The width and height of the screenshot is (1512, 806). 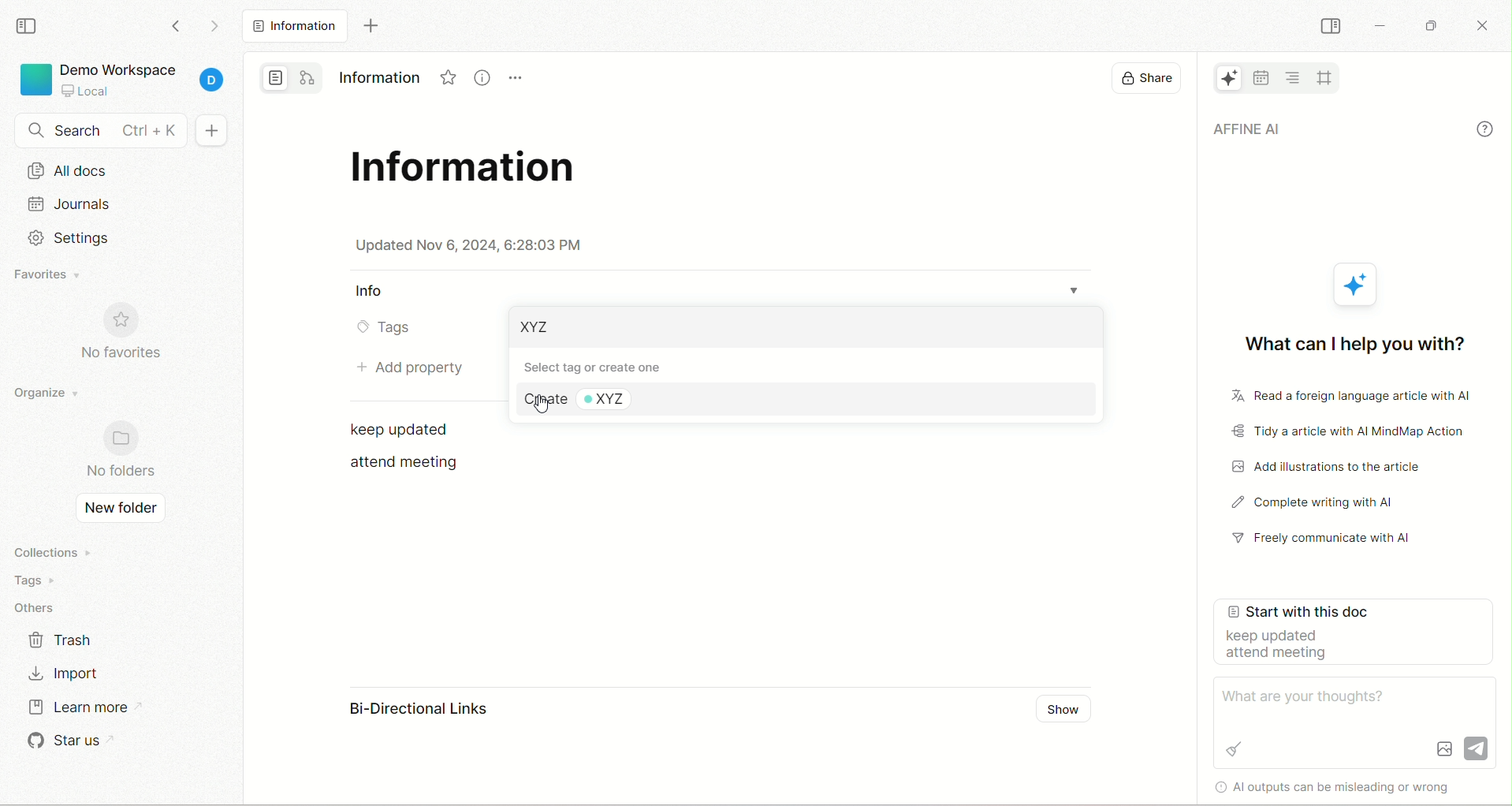 I want to click on AFFiNE icon, so click(x=1358, y=285).